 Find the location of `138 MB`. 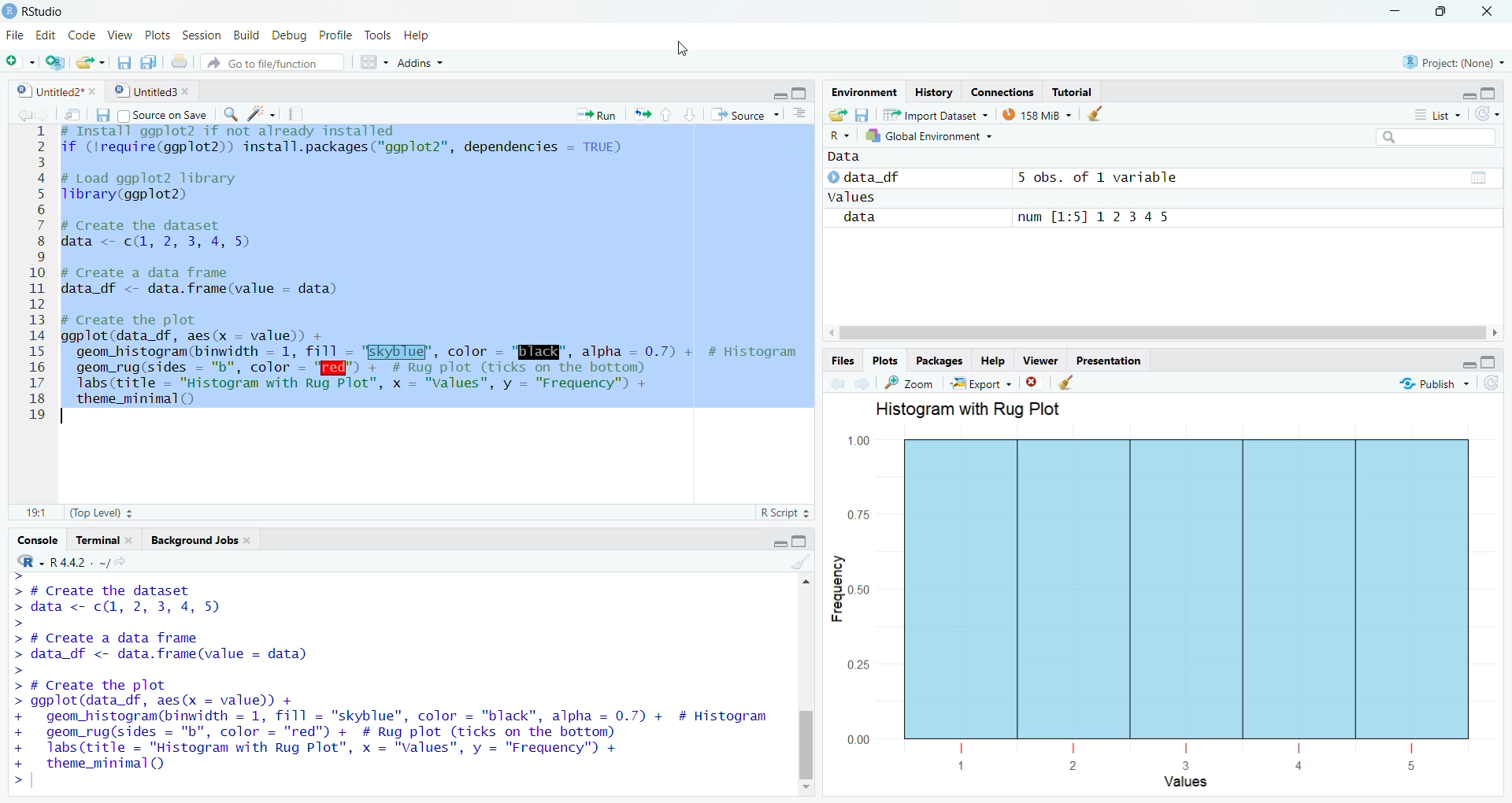

138 MB is located at coordinates (1034, 113).